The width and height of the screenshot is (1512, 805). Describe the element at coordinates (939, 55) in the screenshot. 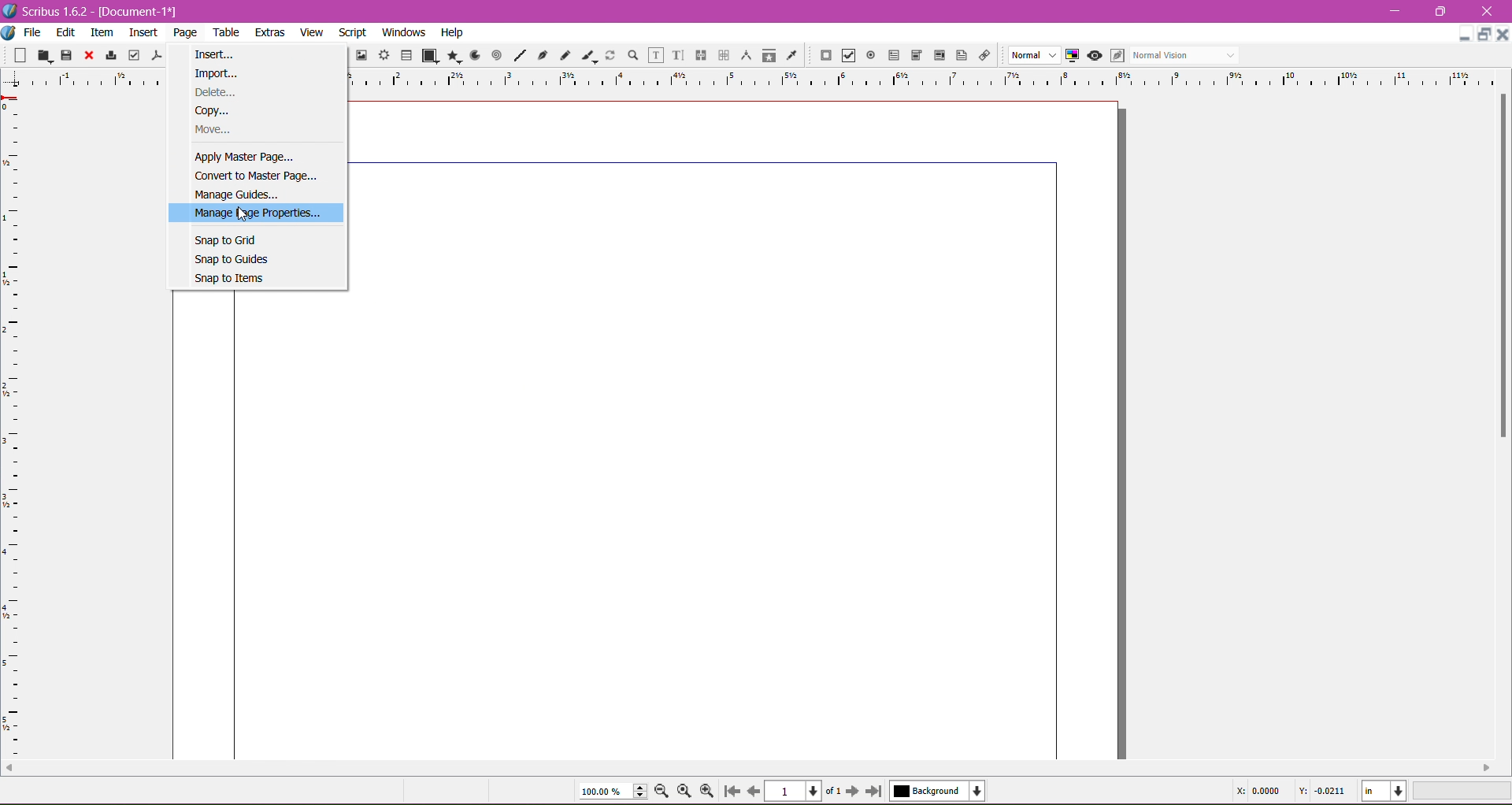

I see `PDF List Box` at that location.